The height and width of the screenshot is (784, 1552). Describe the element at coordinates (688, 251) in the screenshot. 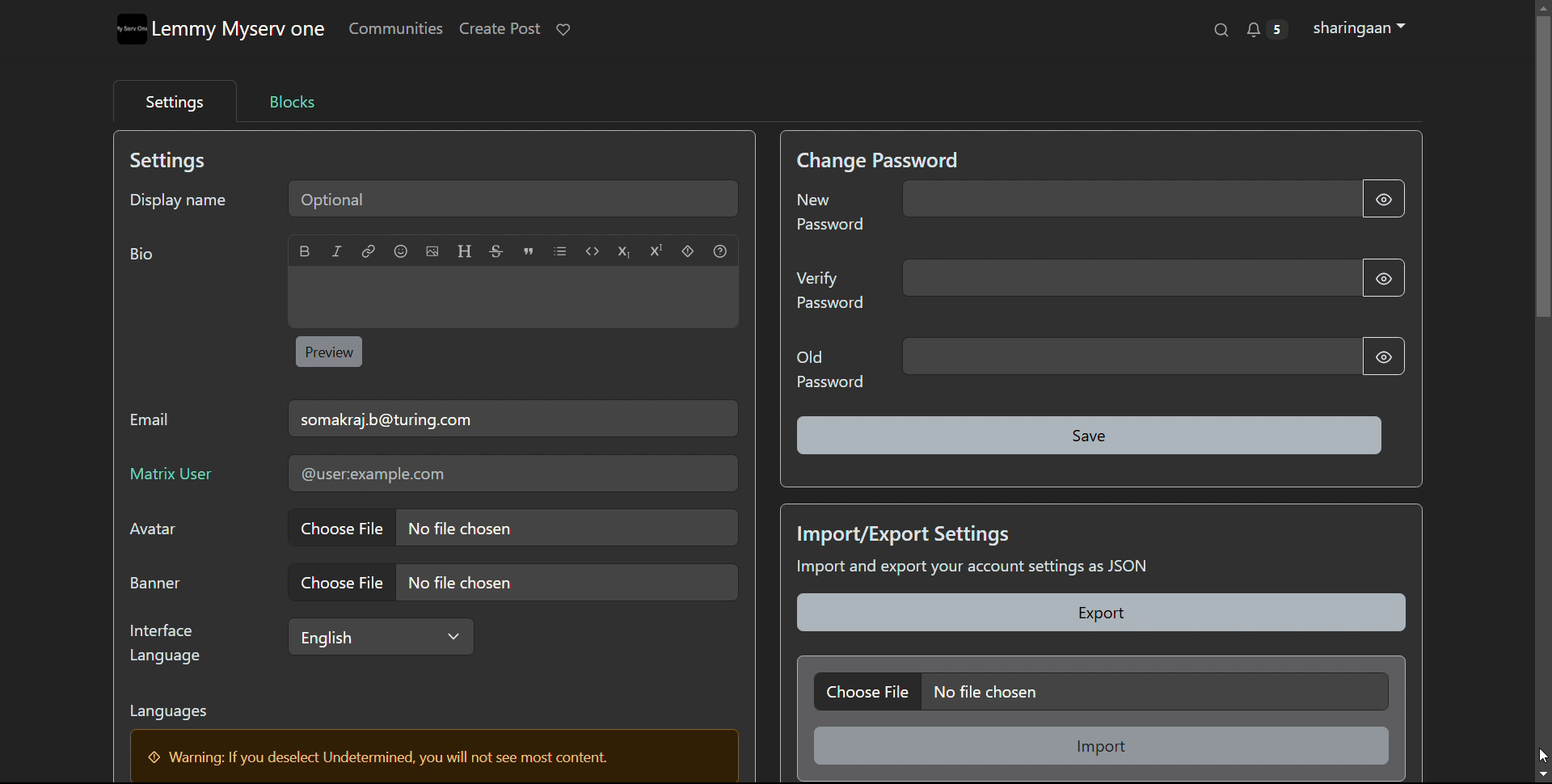

I see `spoiler` at that location.